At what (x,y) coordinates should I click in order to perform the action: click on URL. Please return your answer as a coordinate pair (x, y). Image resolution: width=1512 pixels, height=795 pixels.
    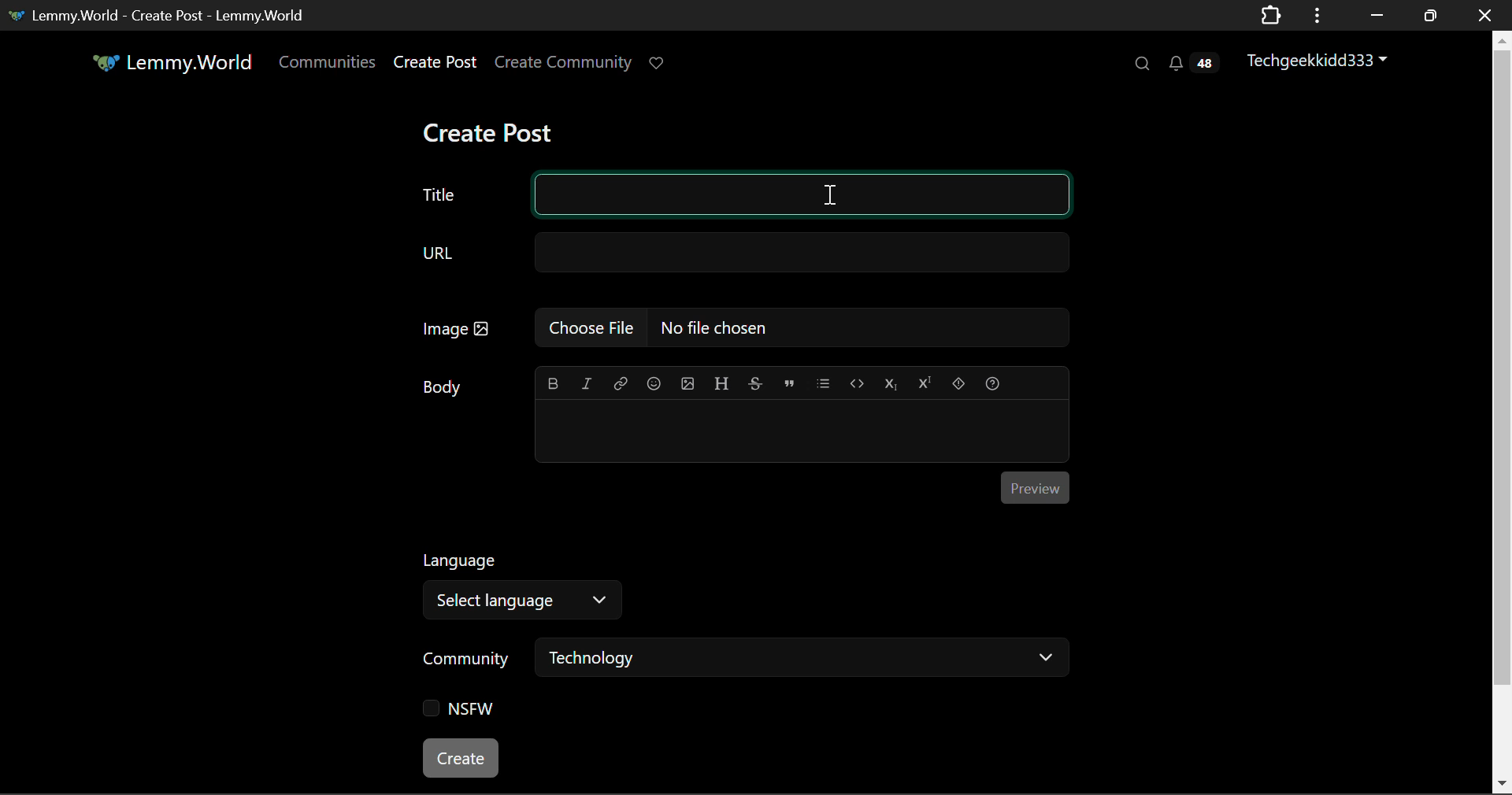
    Looking at the image, I should click on (743, 253).